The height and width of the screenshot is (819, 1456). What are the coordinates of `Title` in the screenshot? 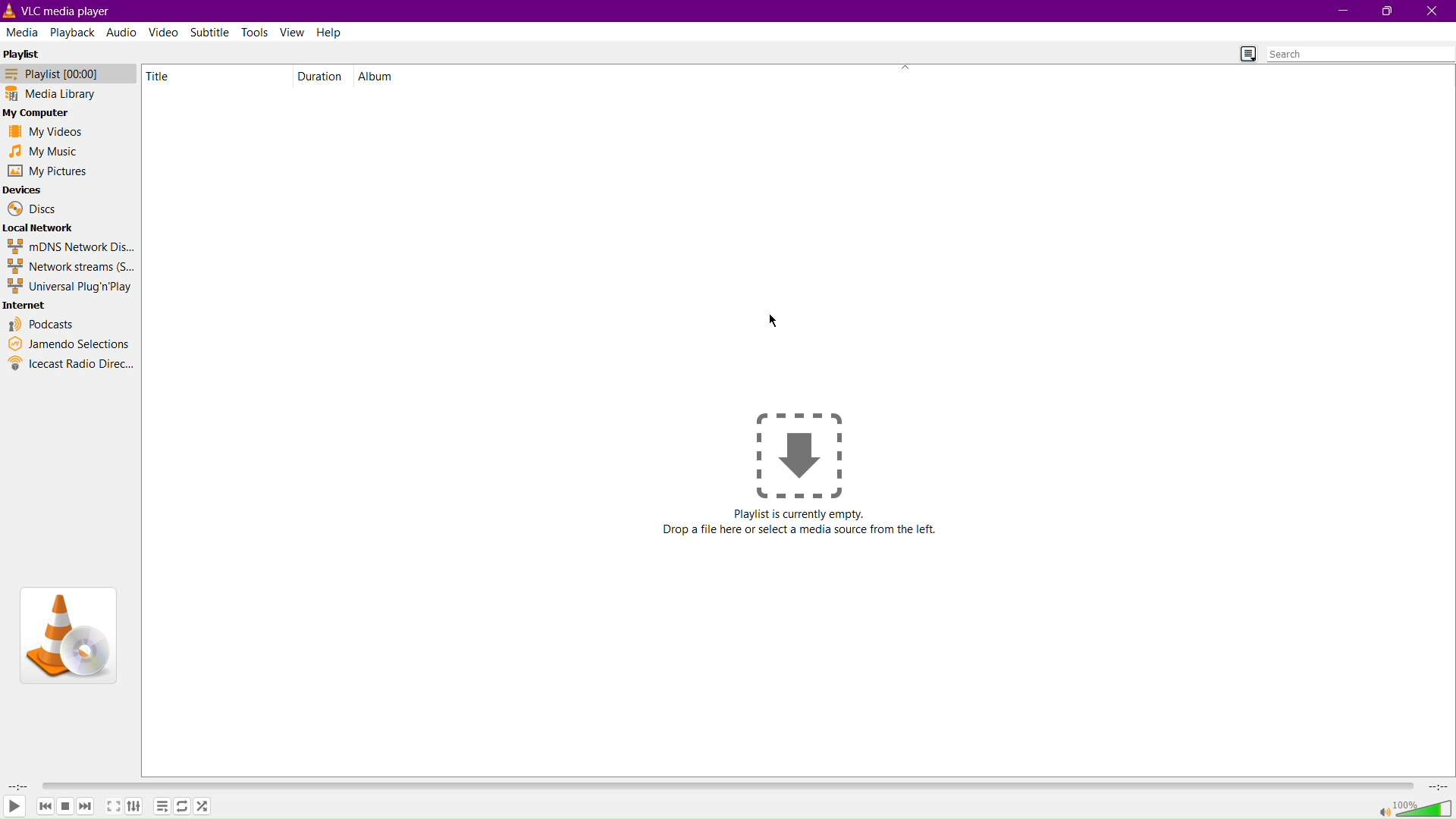 It's located at (171, 76).